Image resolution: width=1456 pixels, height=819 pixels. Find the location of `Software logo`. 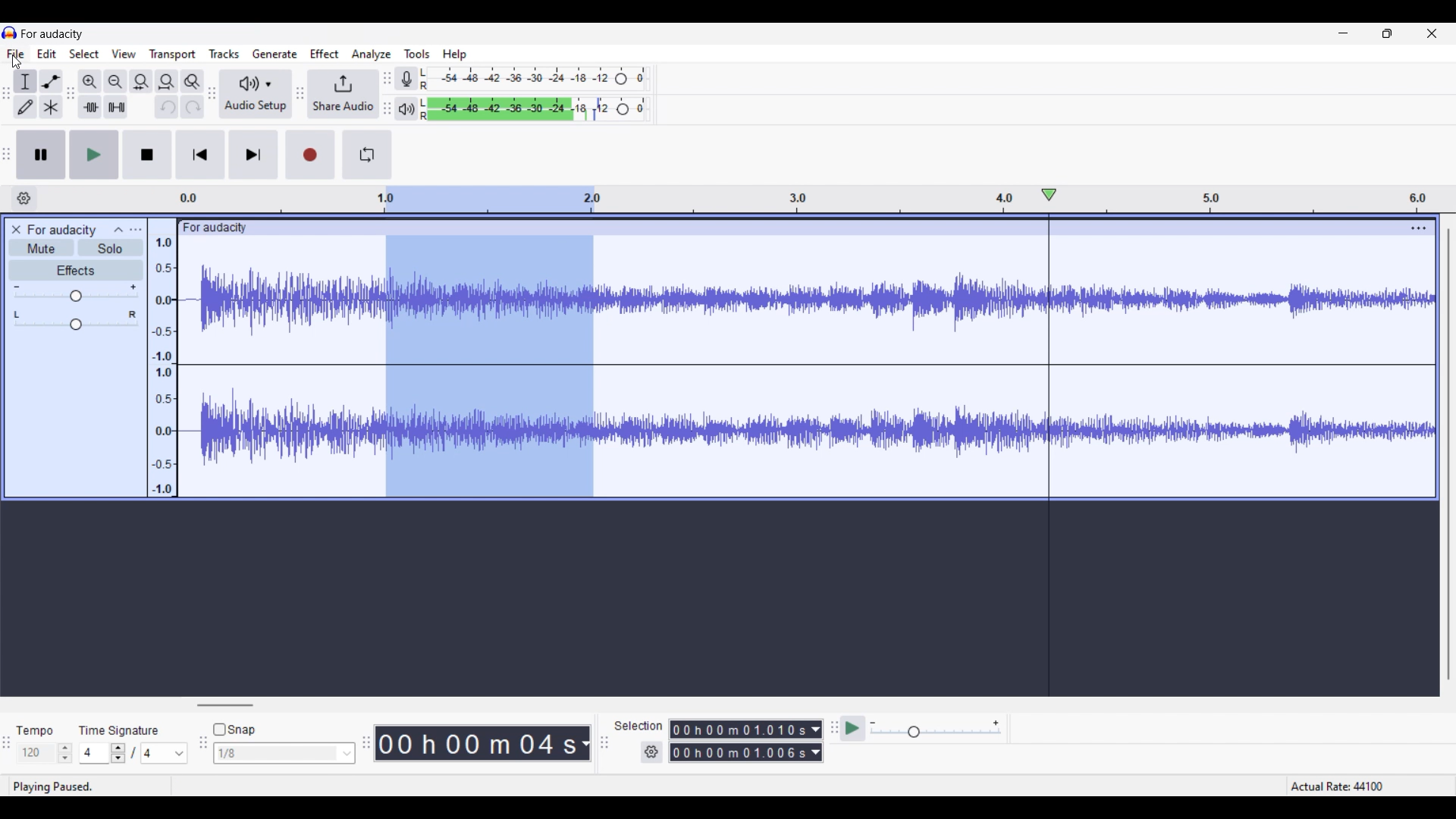

Software logo is located at coordinates (10, 33).